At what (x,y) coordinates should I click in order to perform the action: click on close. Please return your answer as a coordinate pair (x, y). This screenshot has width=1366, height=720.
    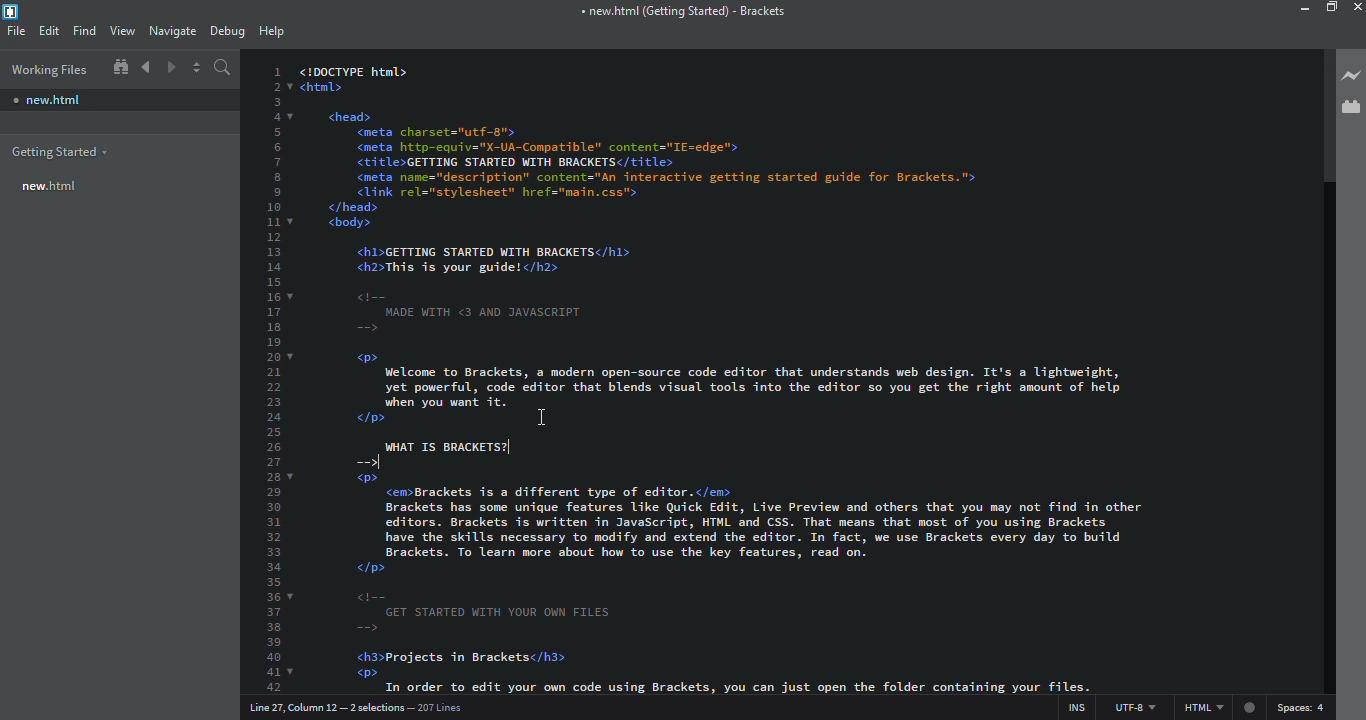
    Looking at the image, I should click on (1355, 9).